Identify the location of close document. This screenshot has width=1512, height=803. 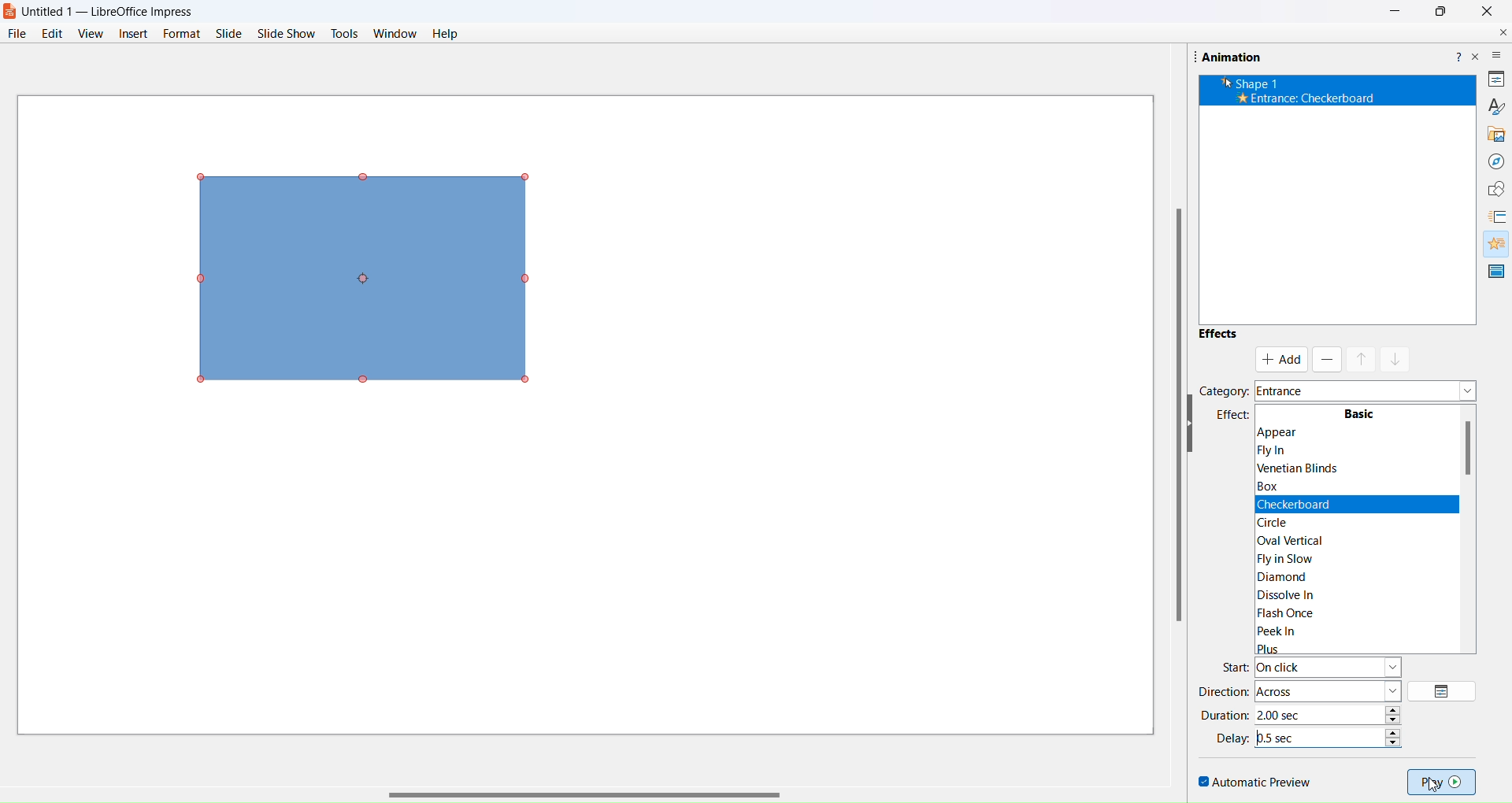
(1499, 32).